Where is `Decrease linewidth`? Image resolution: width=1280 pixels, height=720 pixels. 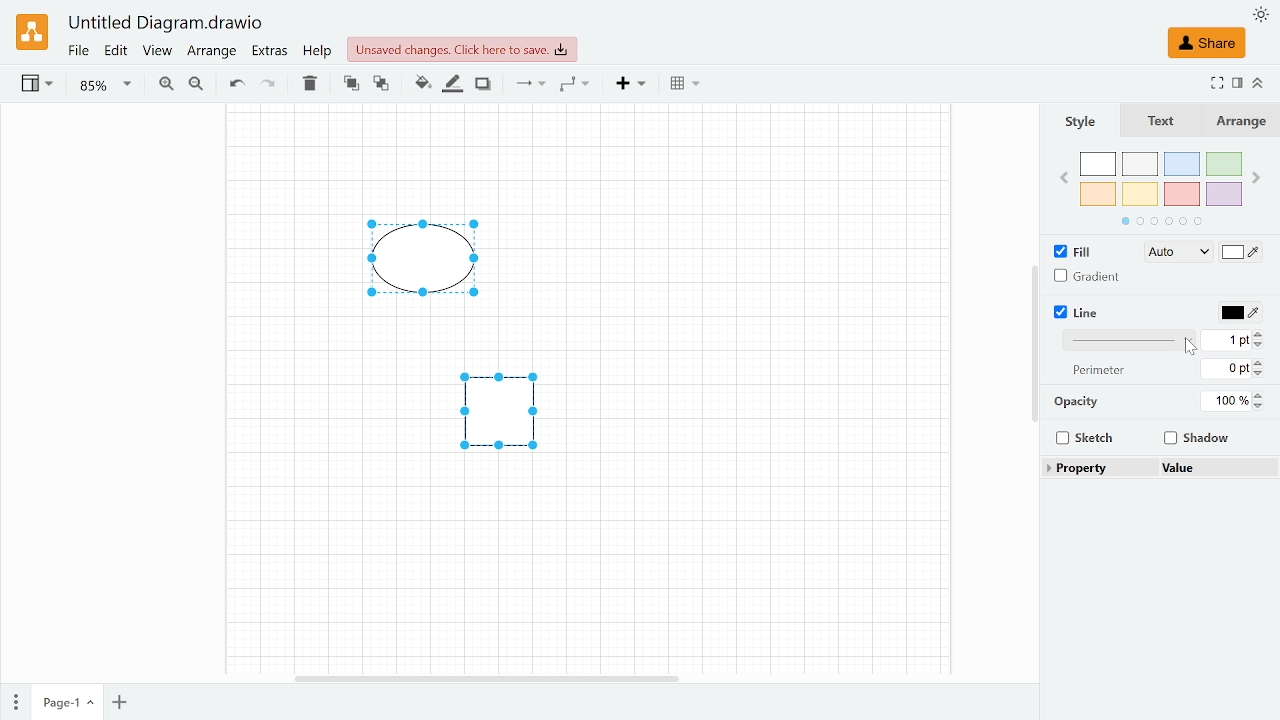
Decrease linewidth is located at coordinates (1261, 346).